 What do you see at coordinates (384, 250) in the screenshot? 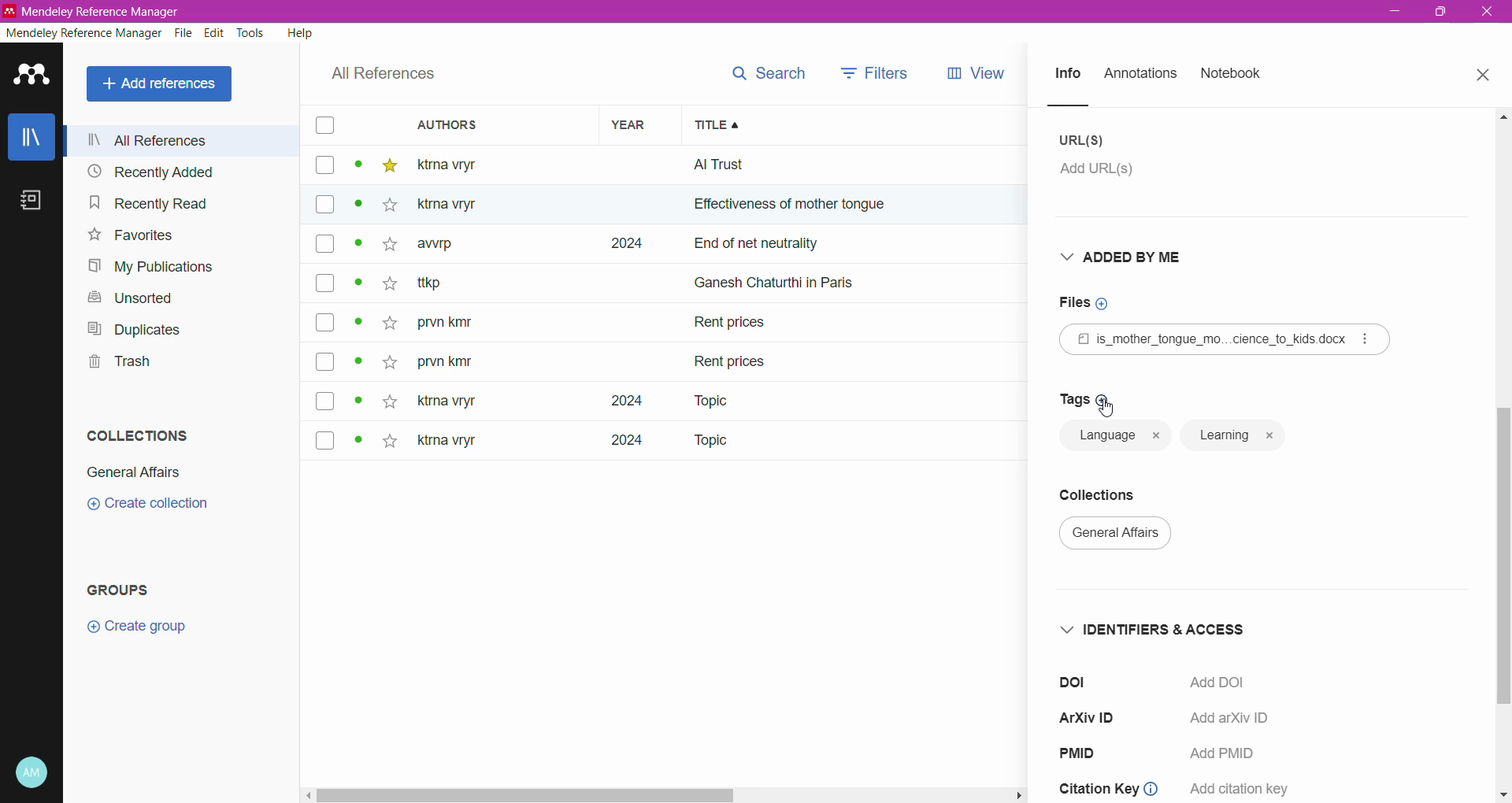
I see `star` at bounding box center [384, 250].